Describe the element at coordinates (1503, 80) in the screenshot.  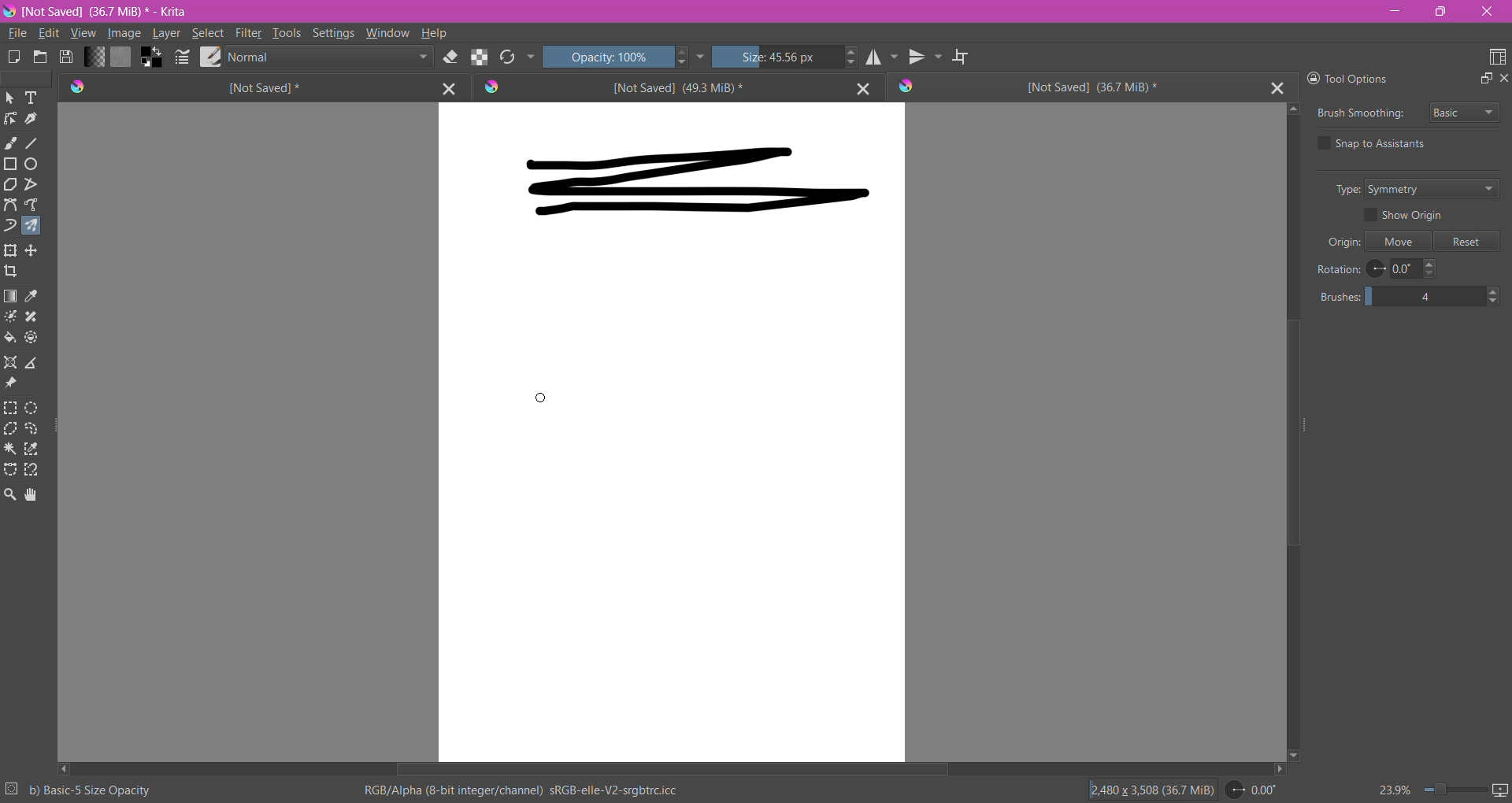
I see `Close Docker` at that location.